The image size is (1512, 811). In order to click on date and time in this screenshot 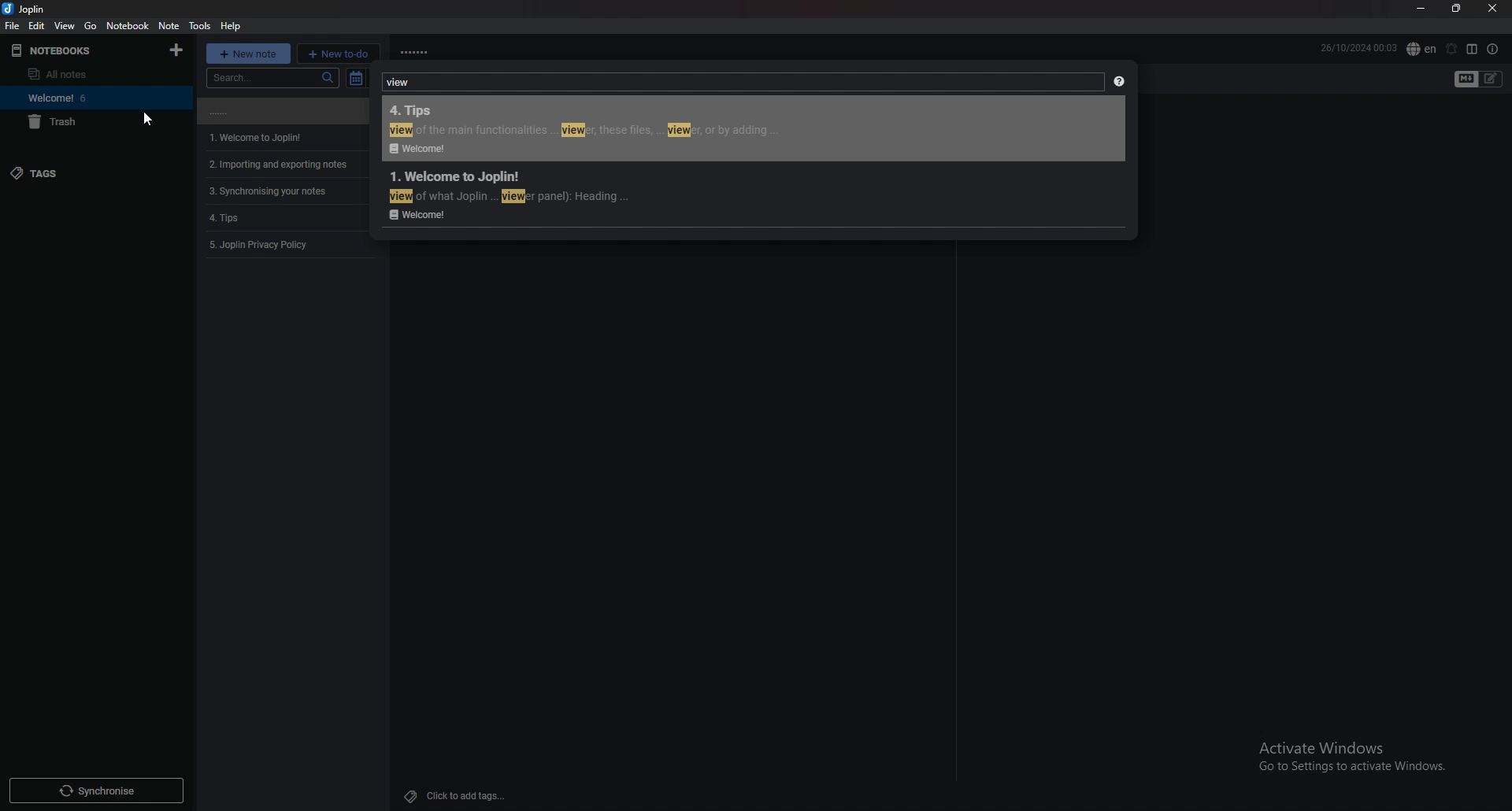, I will do `click(1358, 48)`.